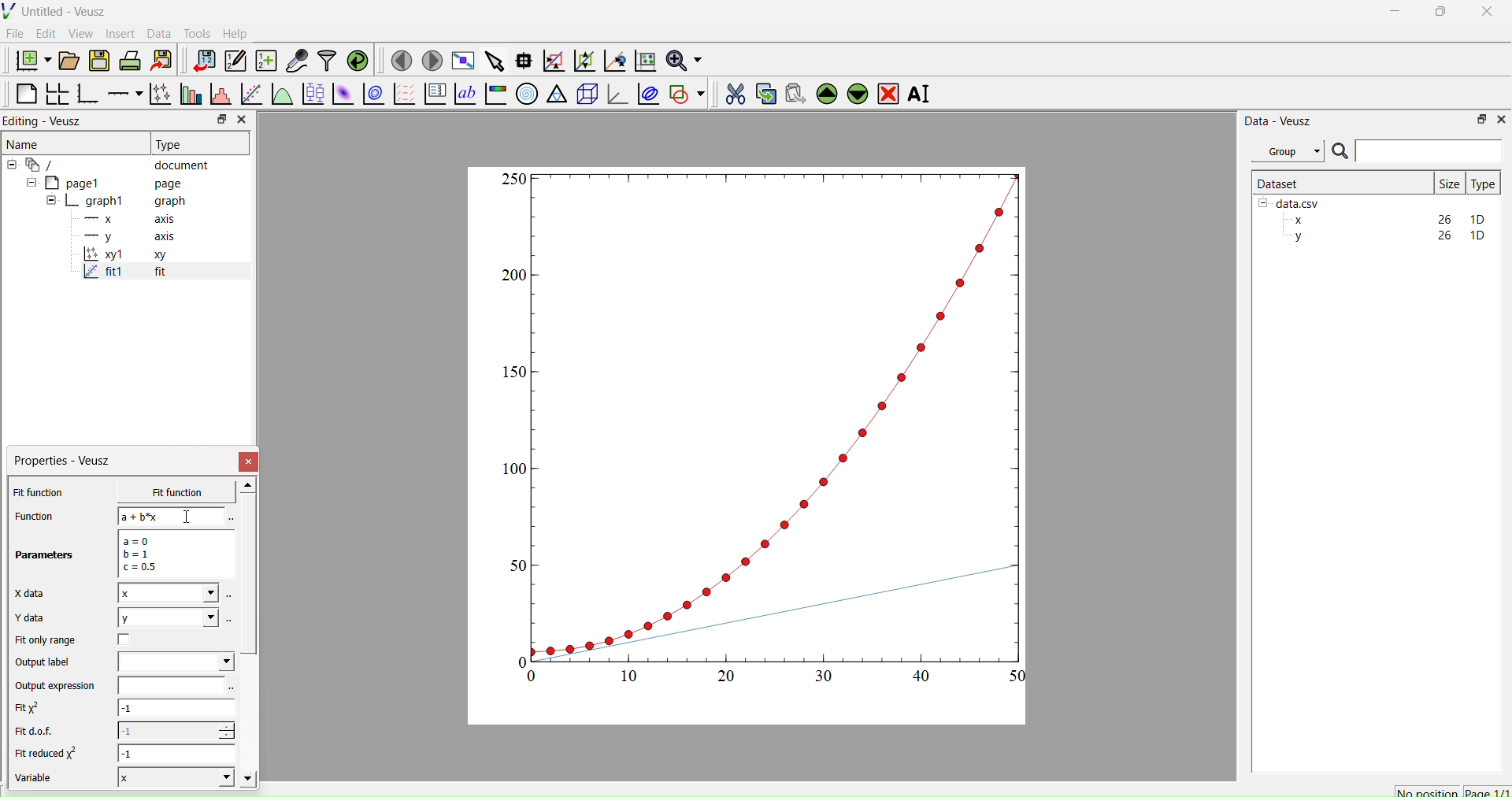  I want to click on Fit function, so click(40, 492).